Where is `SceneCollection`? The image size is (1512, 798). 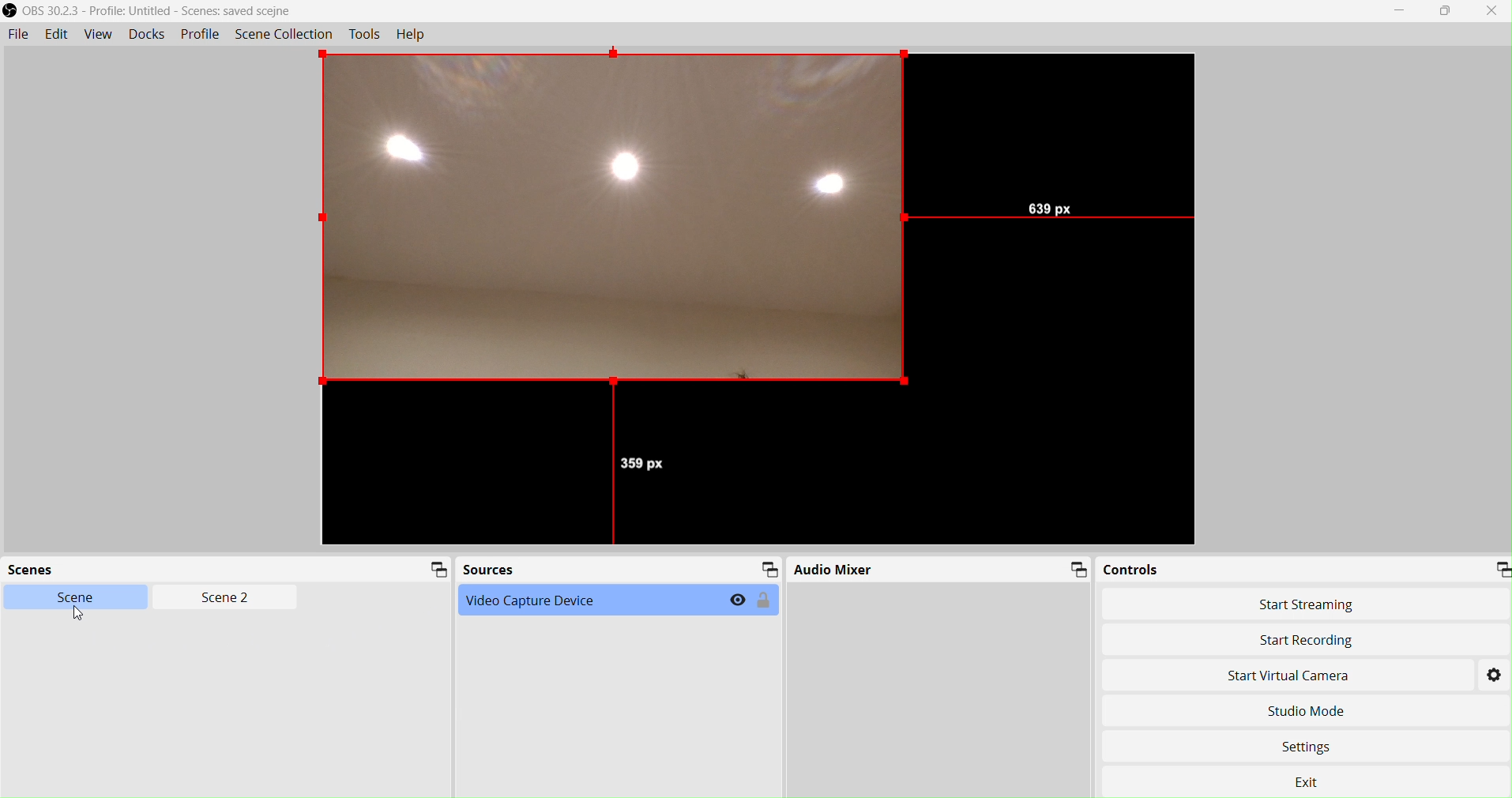
SceneCollection is located at coordinates (284, 36).